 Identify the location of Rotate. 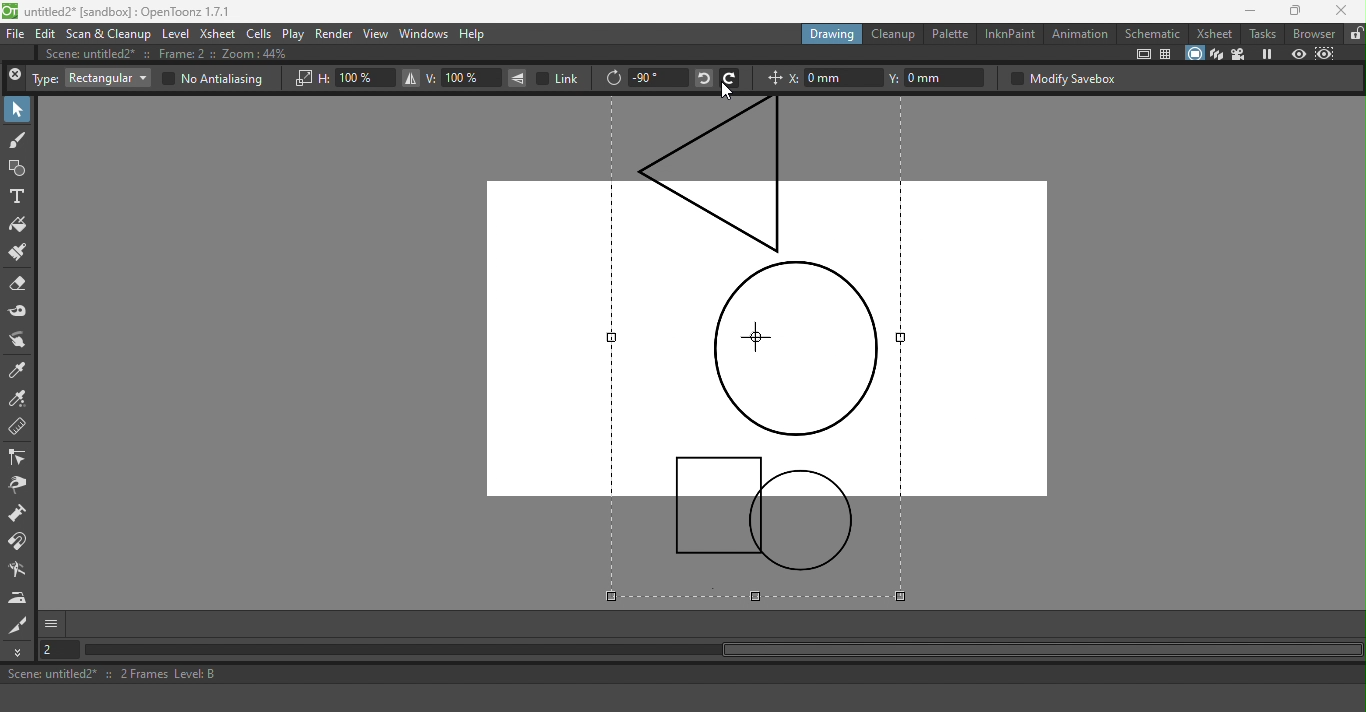
(613, 79).